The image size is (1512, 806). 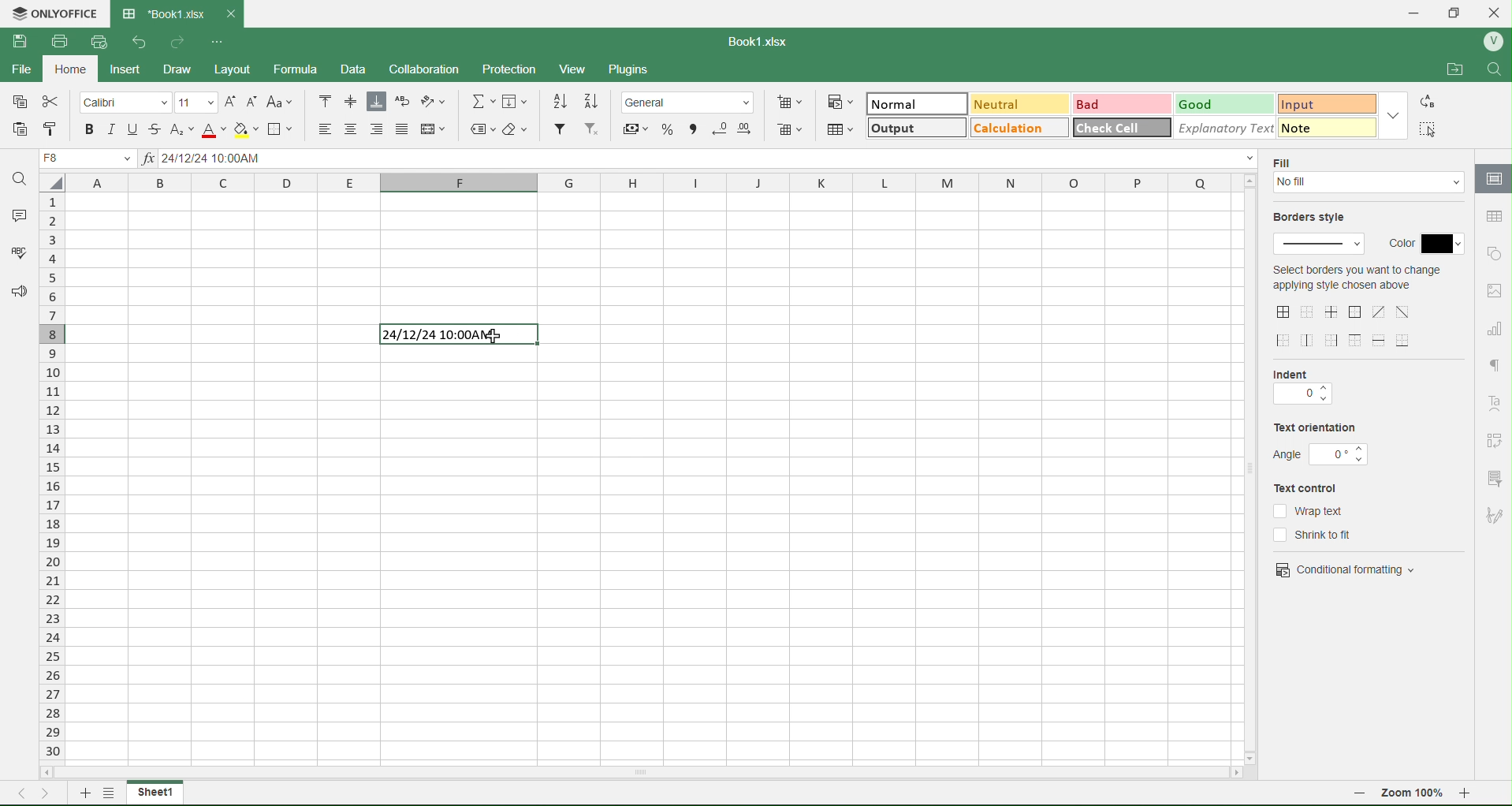 I want to click on Named Ranges, so click(x=481, y=129).